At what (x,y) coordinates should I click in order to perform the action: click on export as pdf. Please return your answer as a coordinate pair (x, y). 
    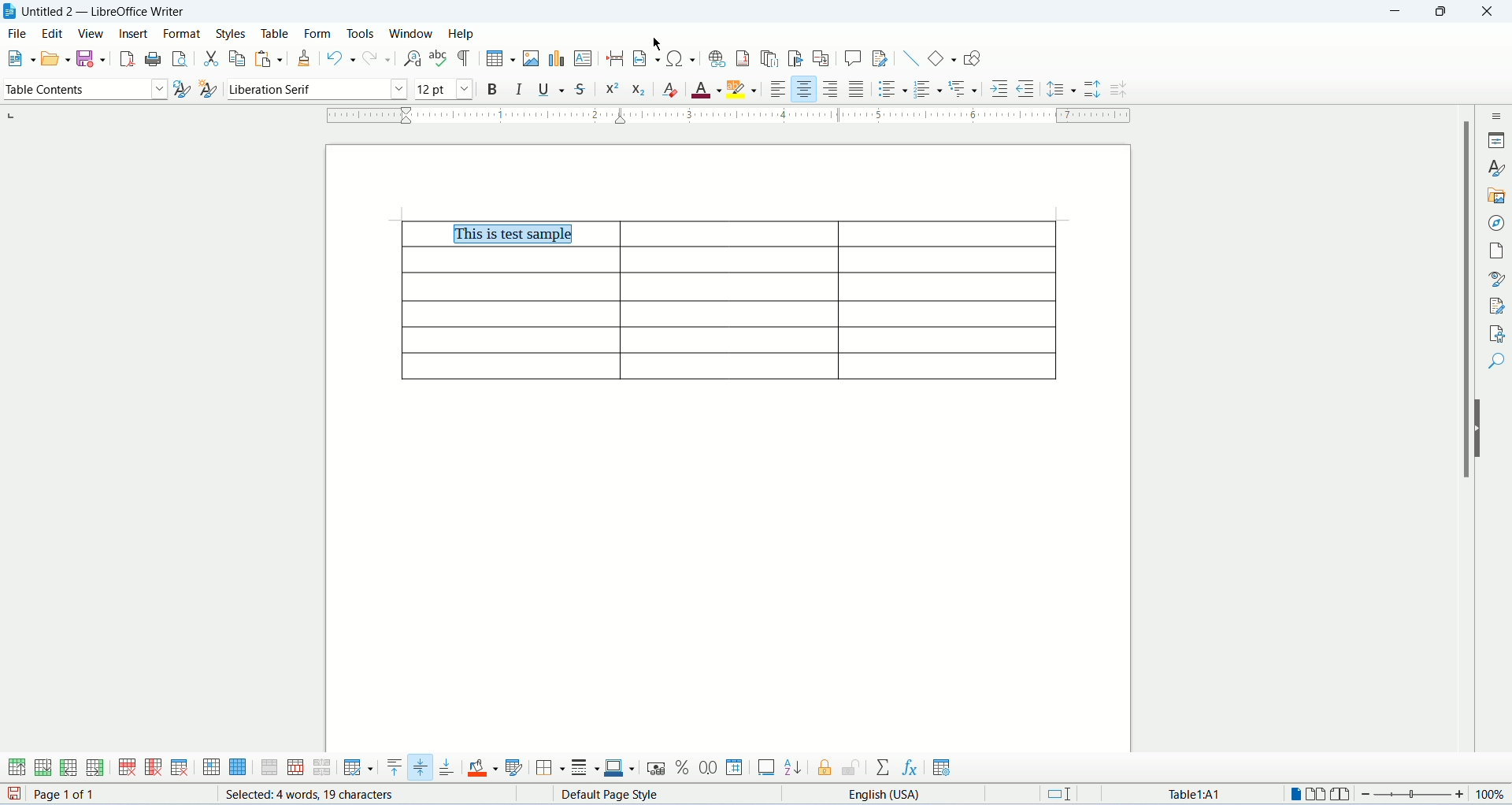
    Looking at the image, I should click on (127, 58).